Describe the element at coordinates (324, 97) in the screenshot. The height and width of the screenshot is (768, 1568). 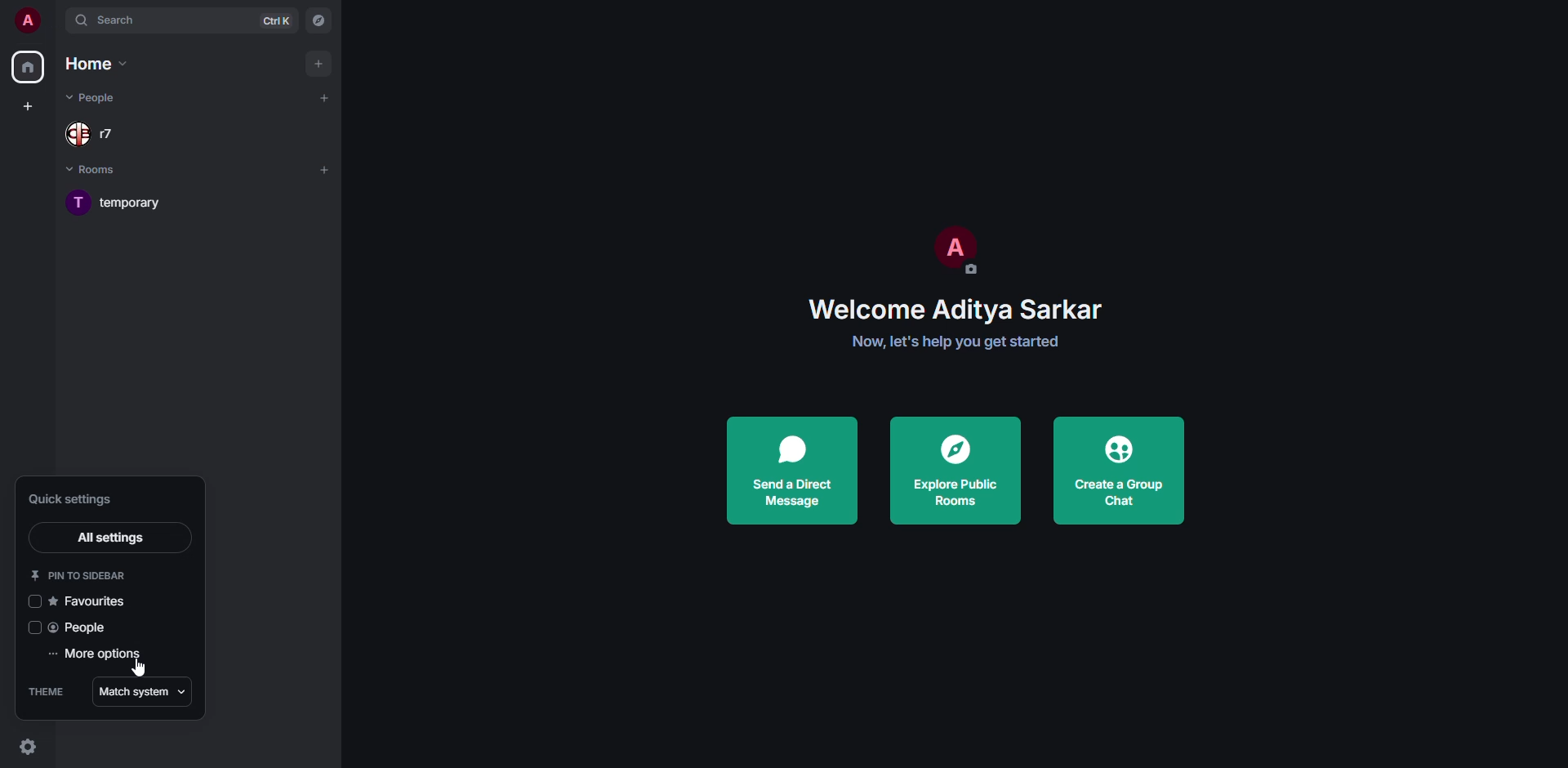
I see `add` at that location.